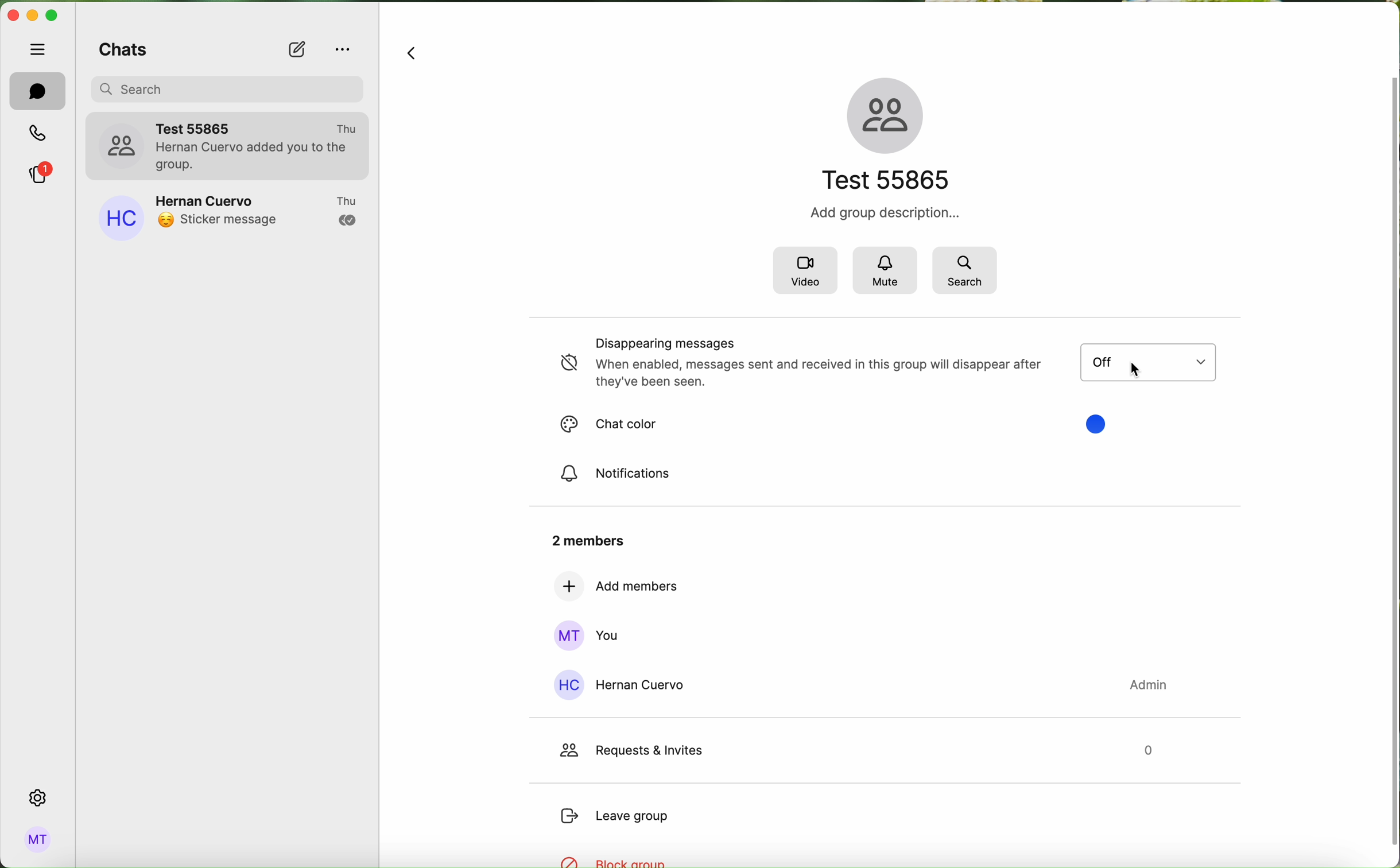  What do you see at coordinates (617, 474) in the screenshot?
I see `notifications` at bounding box center [617, 474].